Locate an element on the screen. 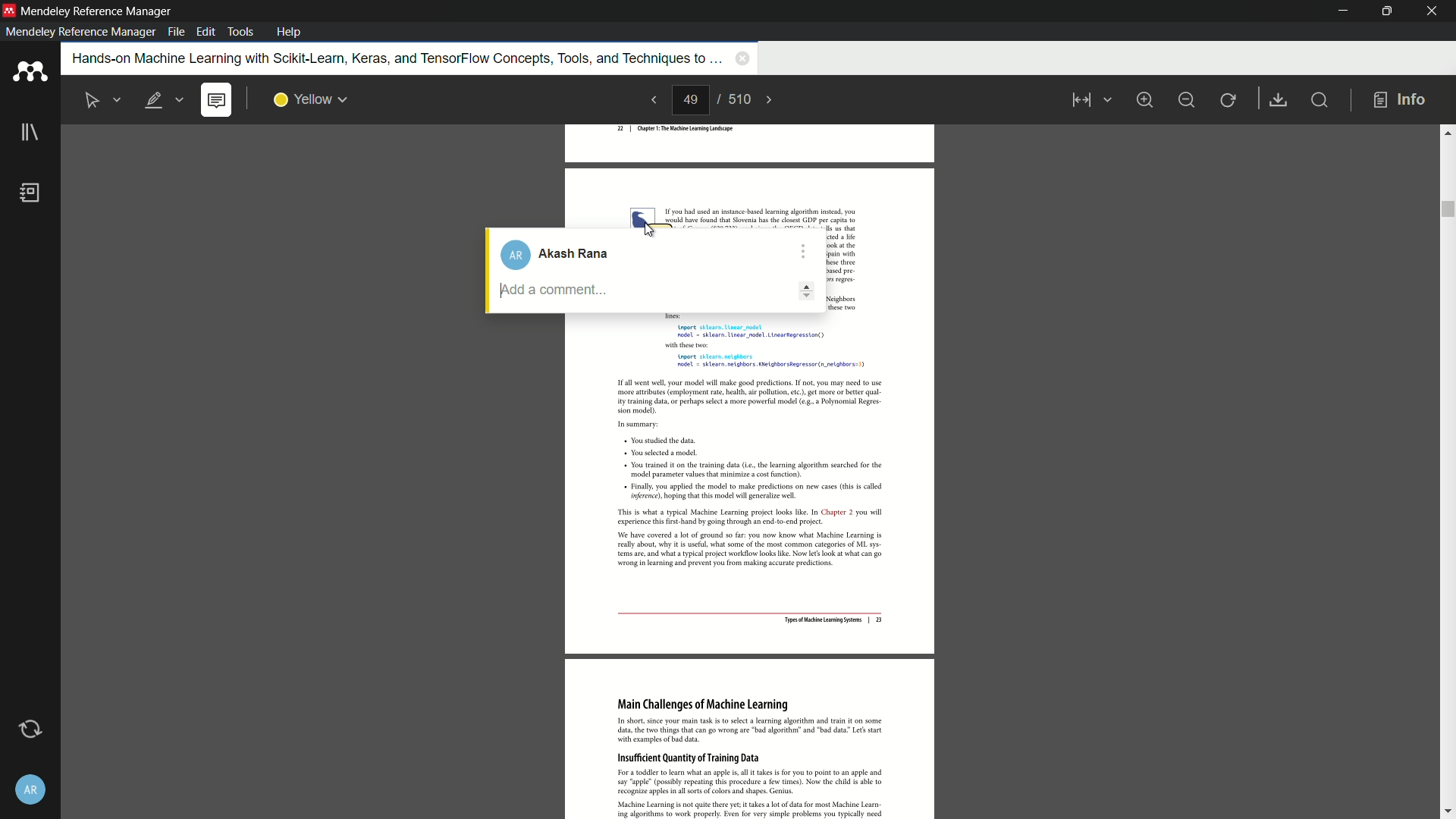 Image resolution: width=1456 pixels, height=819 pixels. sync is located at coordinates (28, 730).